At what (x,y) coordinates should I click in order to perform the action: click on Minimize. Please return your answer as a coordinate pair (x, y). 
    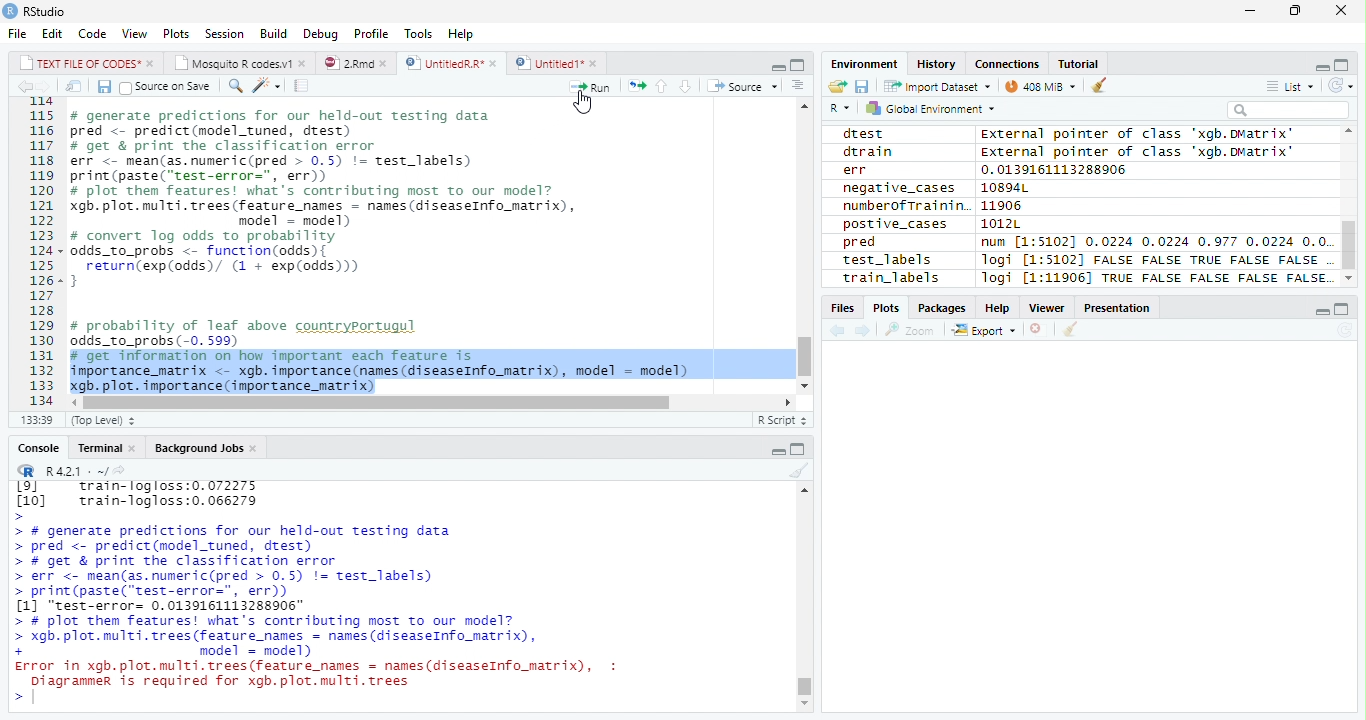
    Looking at the image, I should click on (1249, 11).